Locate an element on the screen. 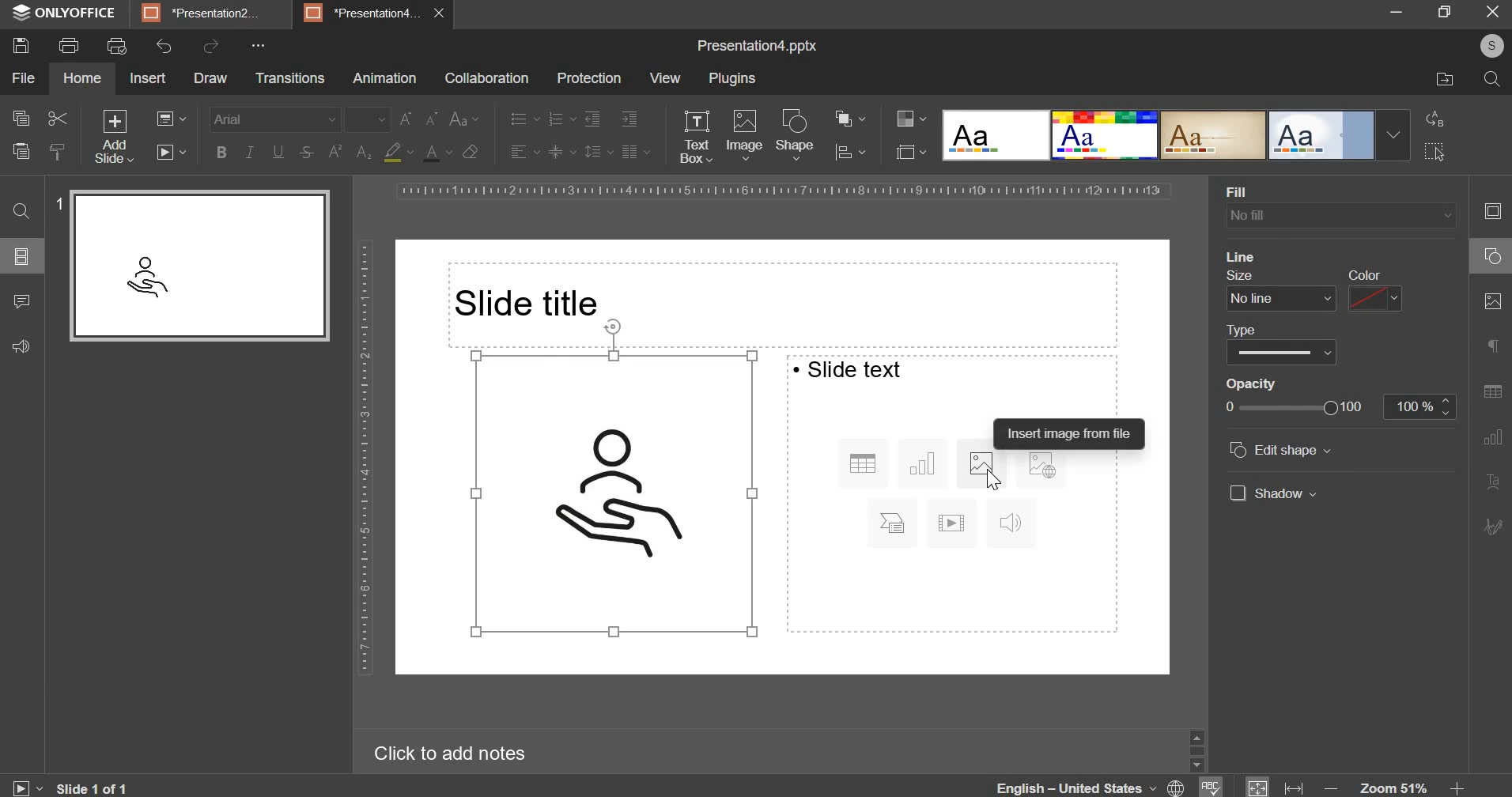 This screenshot has height=797, width=1512. fill color is located at coordinates (396, 153).